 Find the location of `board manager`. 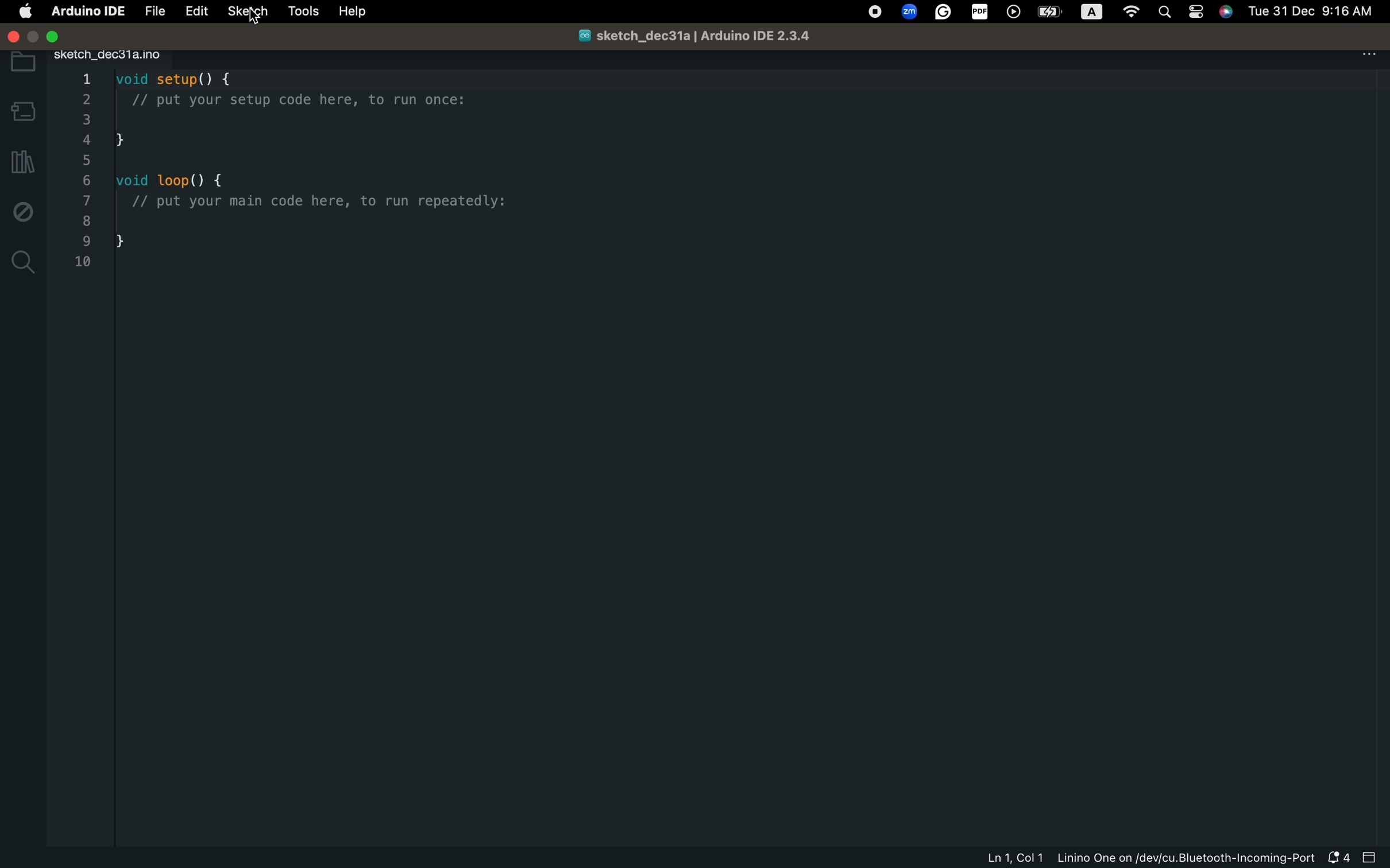

board manager is located at coordinates (22, 111).